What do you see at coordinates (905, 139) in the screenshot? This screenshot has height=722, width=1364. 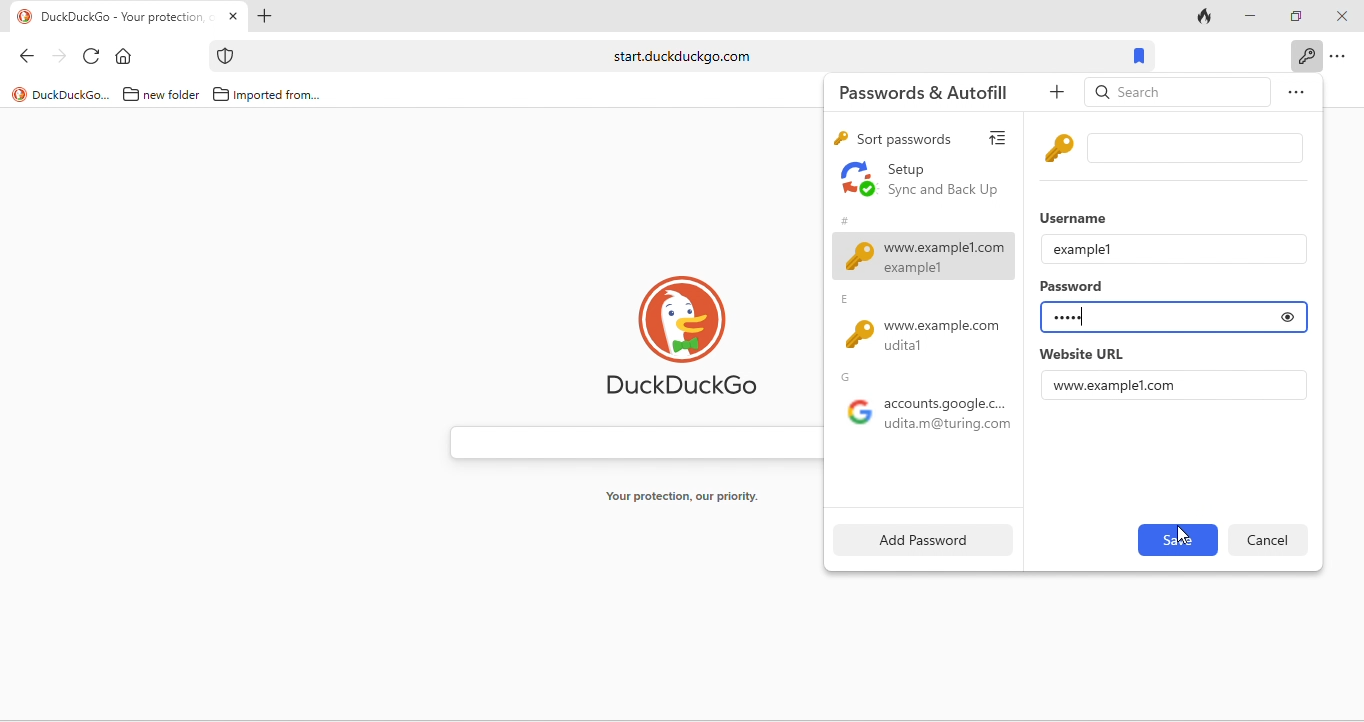 I see `sort passwords` at bounding box center [905, 139].